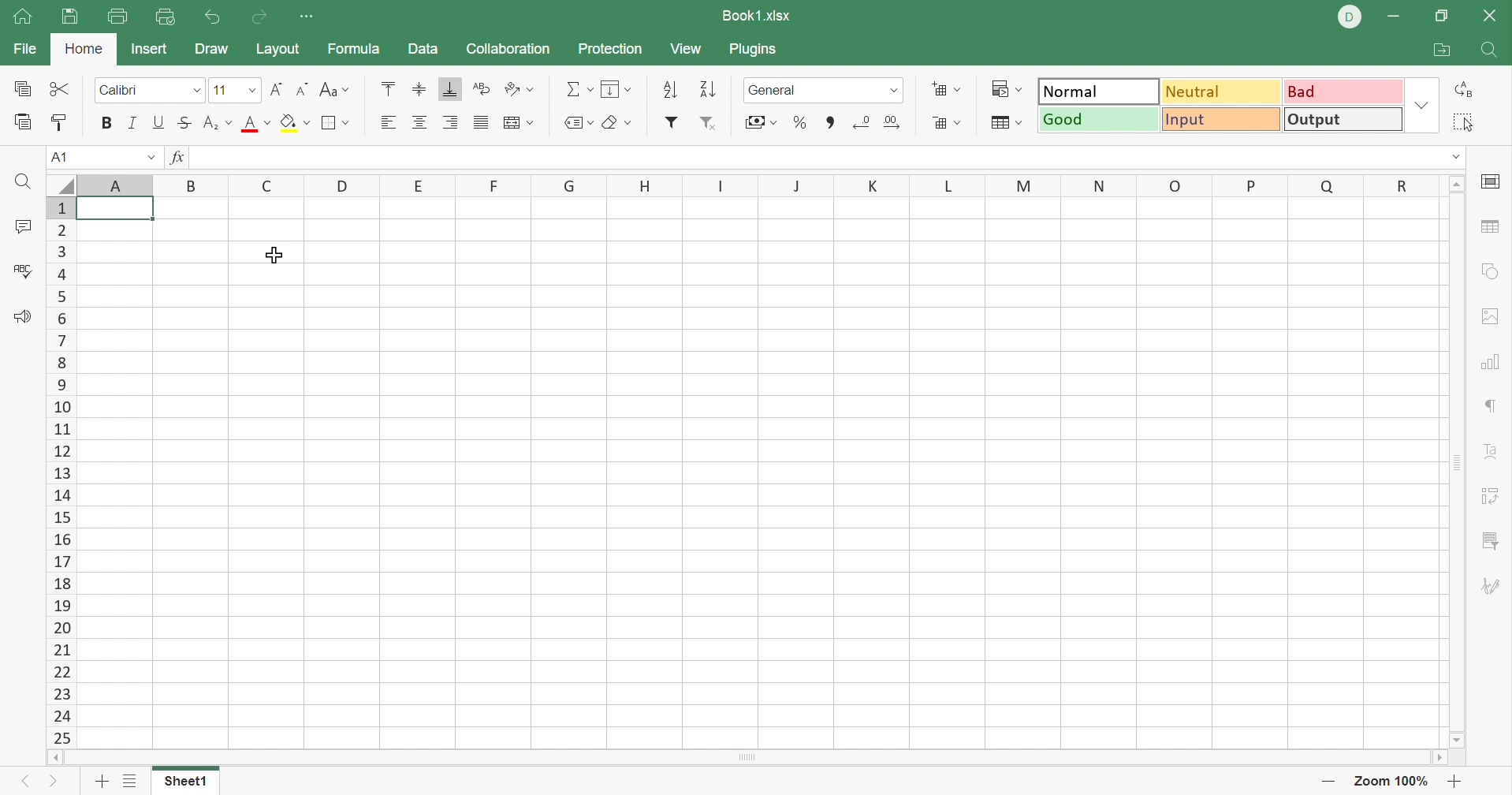 This screenshot has width=1512, height=795. I want to click on Book1.xlsx, so click(758, 14).